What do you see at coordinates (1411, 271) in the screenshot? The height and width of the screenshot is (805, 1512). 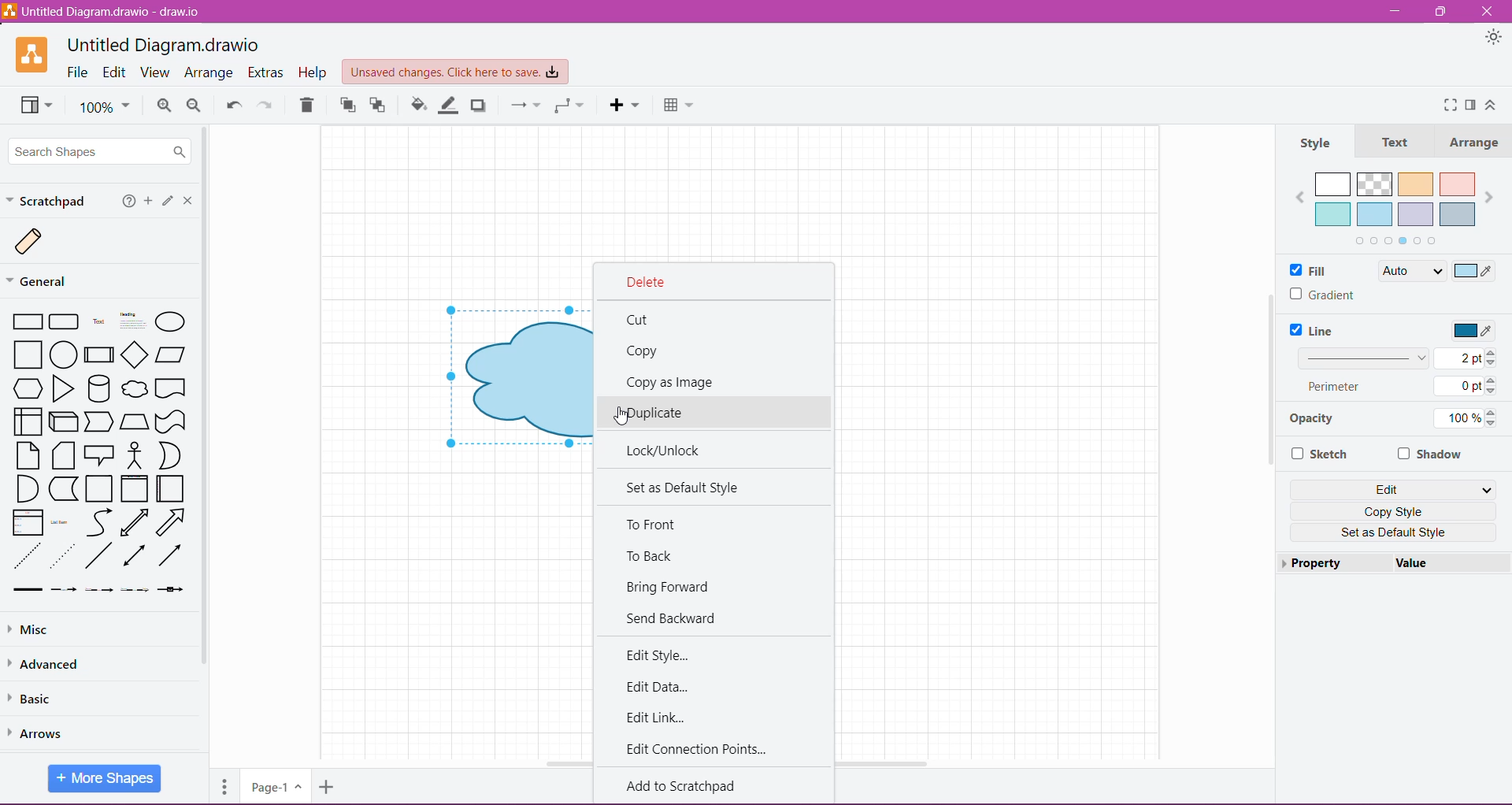 I see `Auto` at bounding box center [1411, 271].